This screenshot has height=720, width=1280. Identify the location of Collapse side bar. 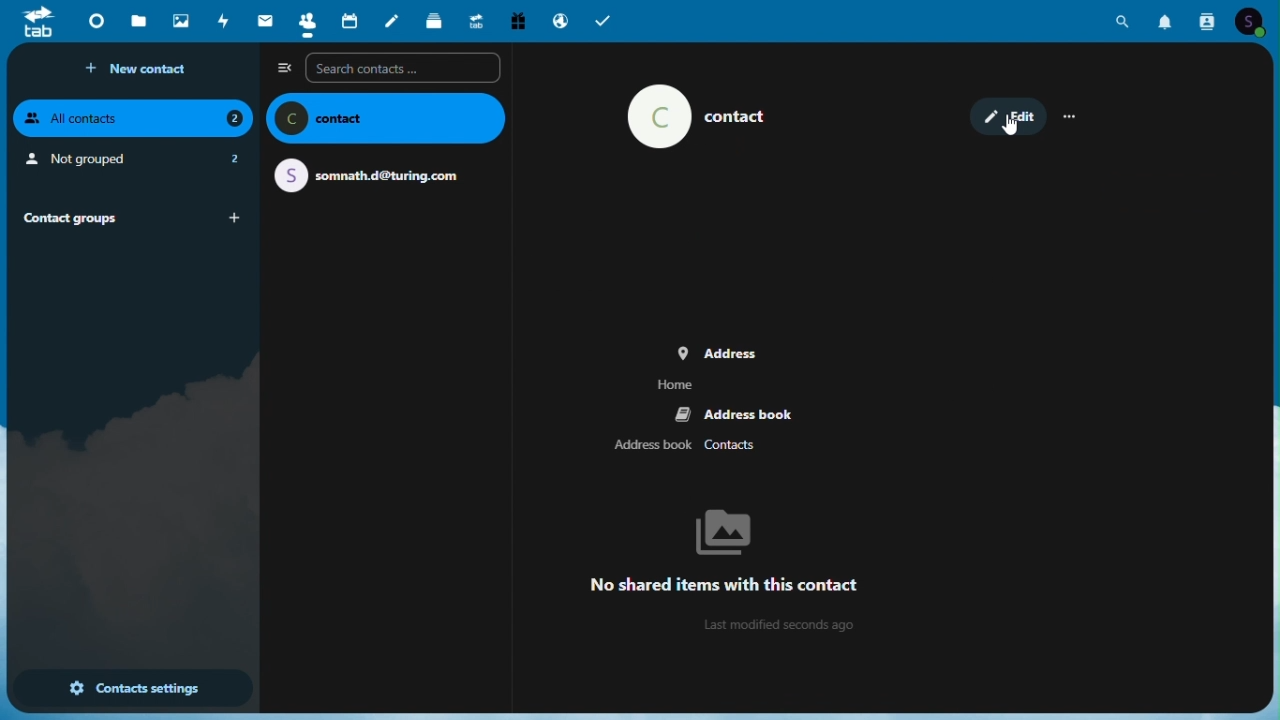
(283, 67).